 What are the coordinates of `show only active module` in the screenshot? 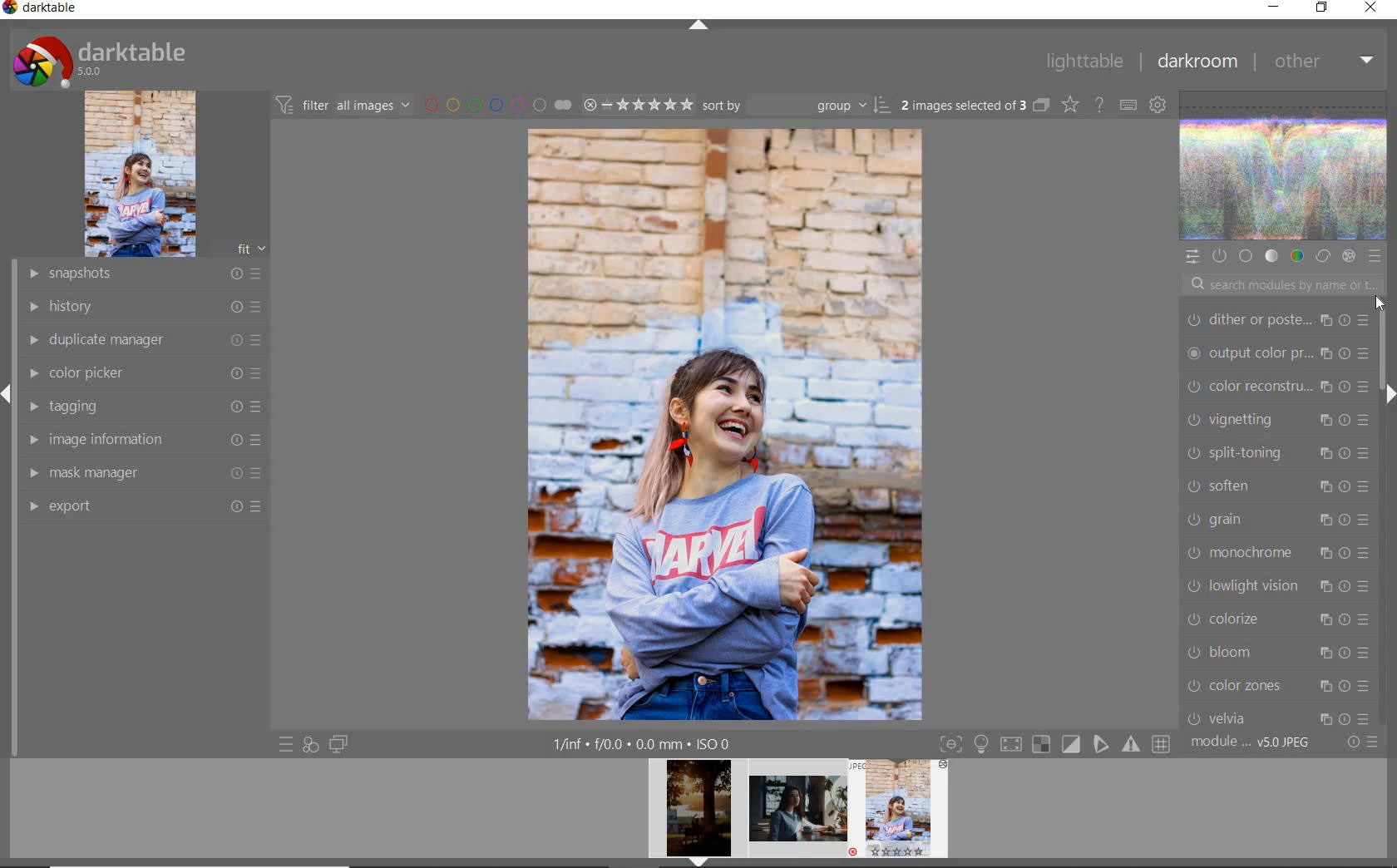 It's located at (1218, 256).